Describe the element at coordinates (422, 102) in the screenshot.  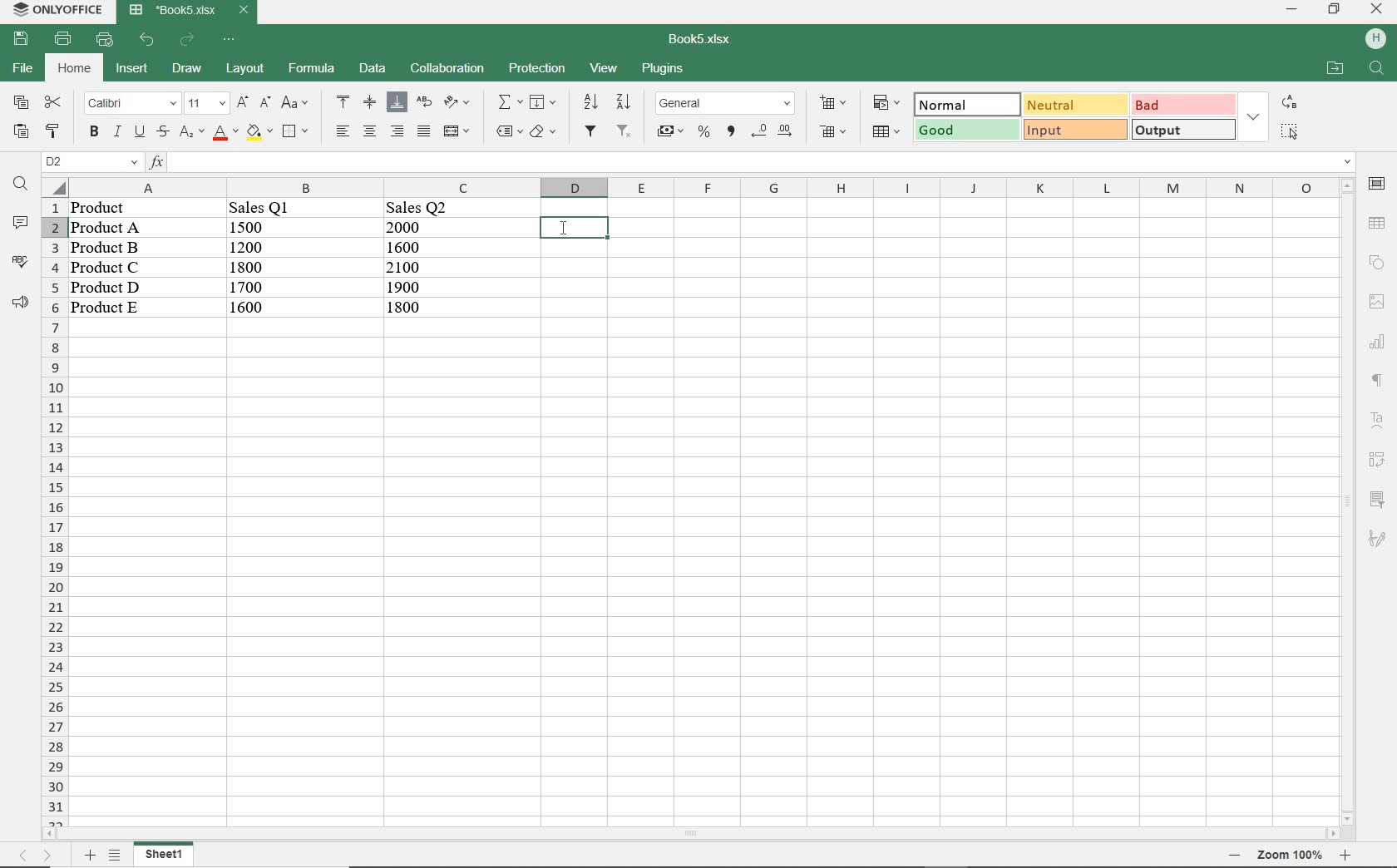
I see `wrap text` at that location.